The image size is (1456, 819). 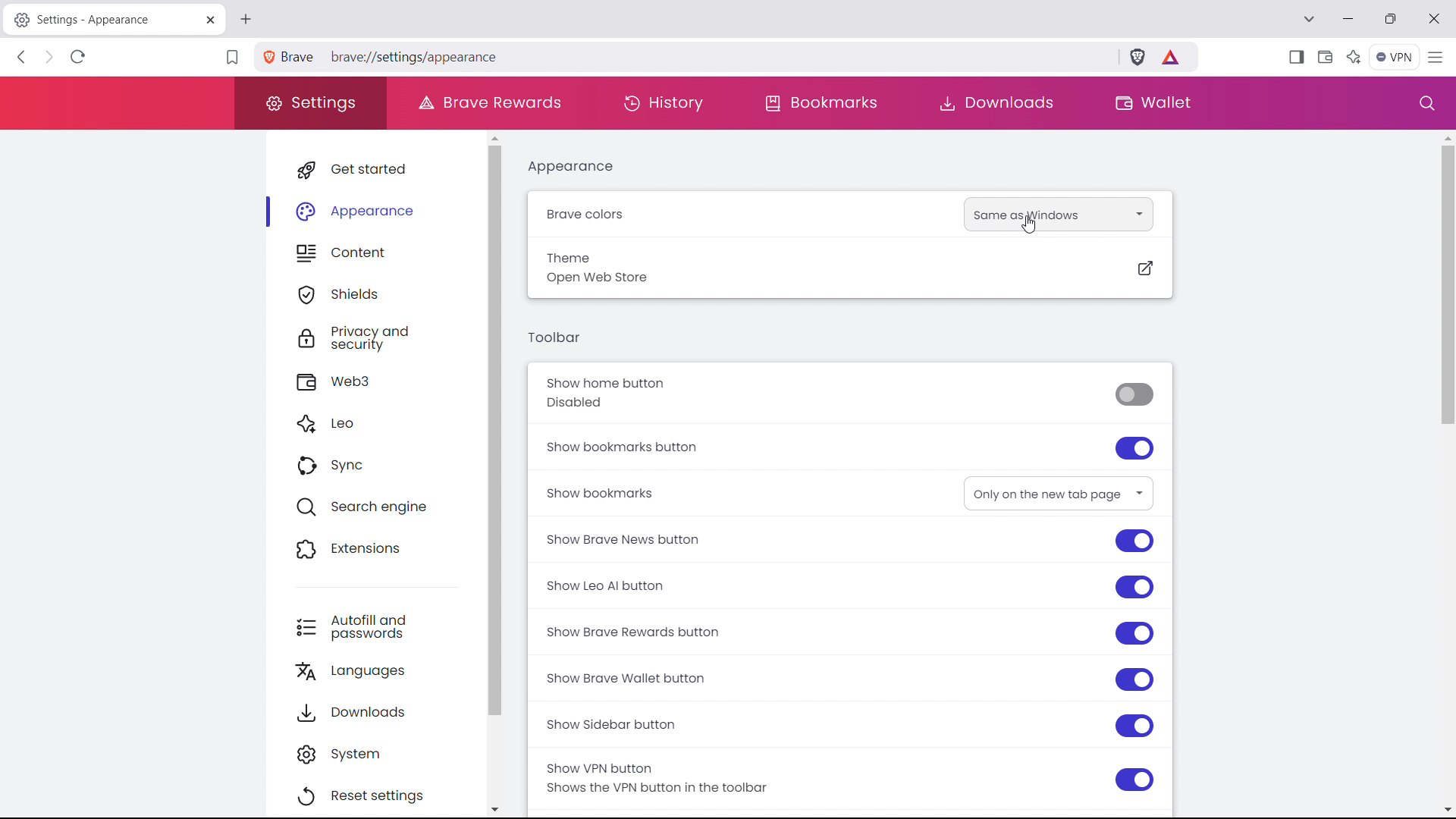 What do you see at coordinates (1028, 227) in the screenshot?
I see `cursor` at bounding box center [1028, 227].